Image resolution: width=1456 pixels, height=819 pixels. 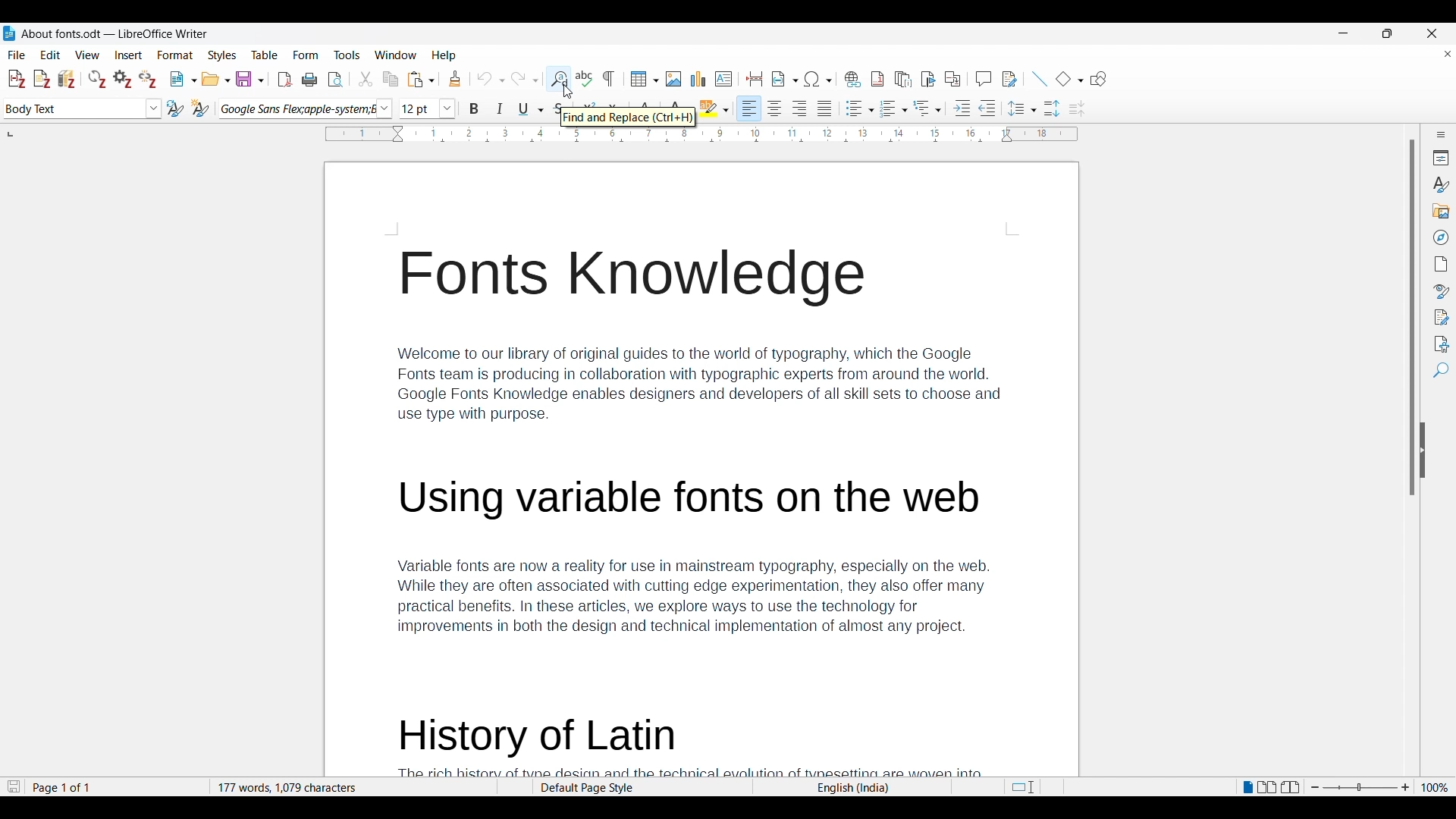 I want to click on Zoom in/out slider, so click(x=1360, y=788).